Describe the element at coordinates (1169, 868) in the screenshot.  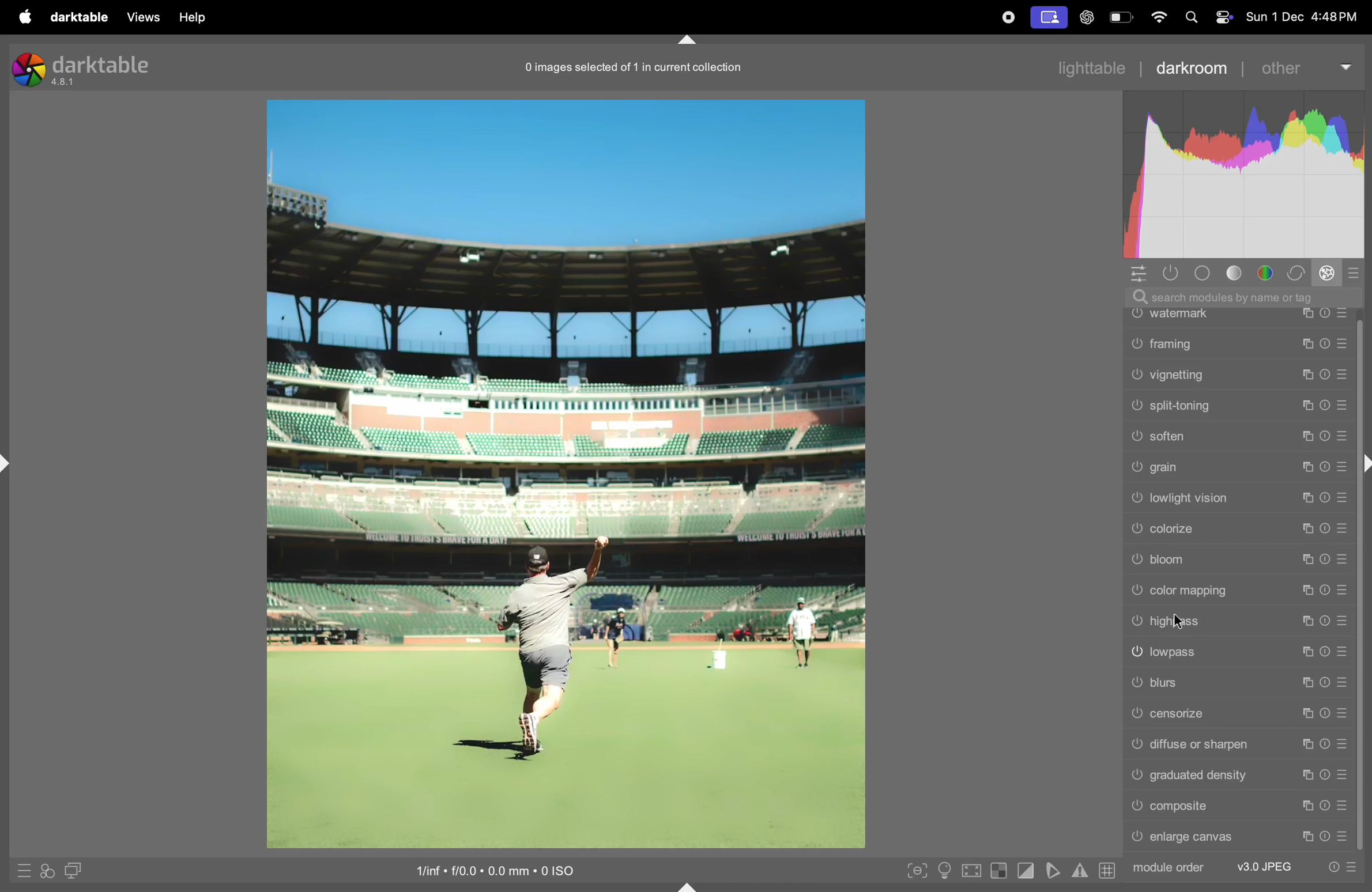
I see `module order` at that location.